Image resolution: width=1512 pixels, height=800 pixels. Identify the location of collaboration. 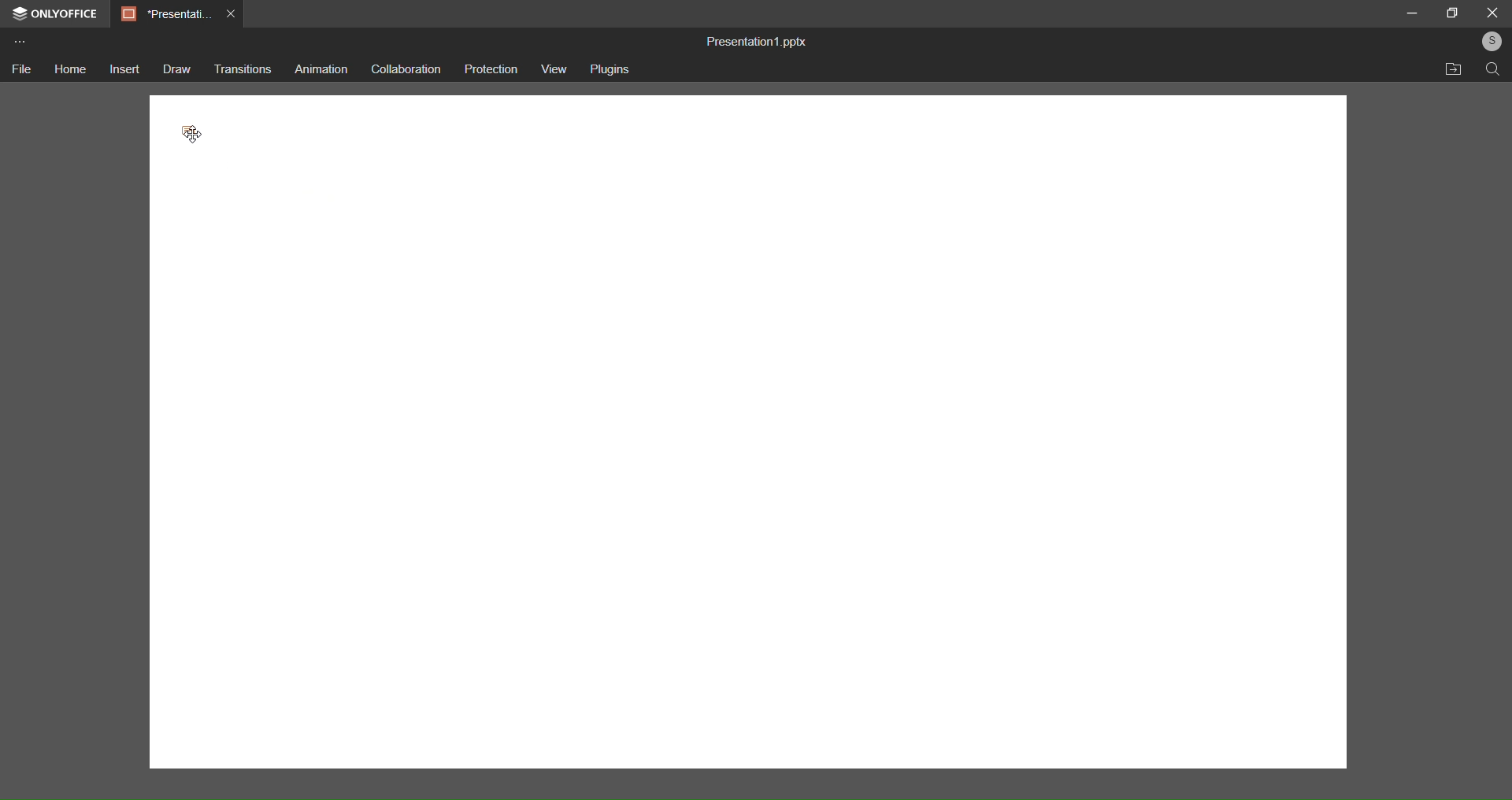
(406, 68).